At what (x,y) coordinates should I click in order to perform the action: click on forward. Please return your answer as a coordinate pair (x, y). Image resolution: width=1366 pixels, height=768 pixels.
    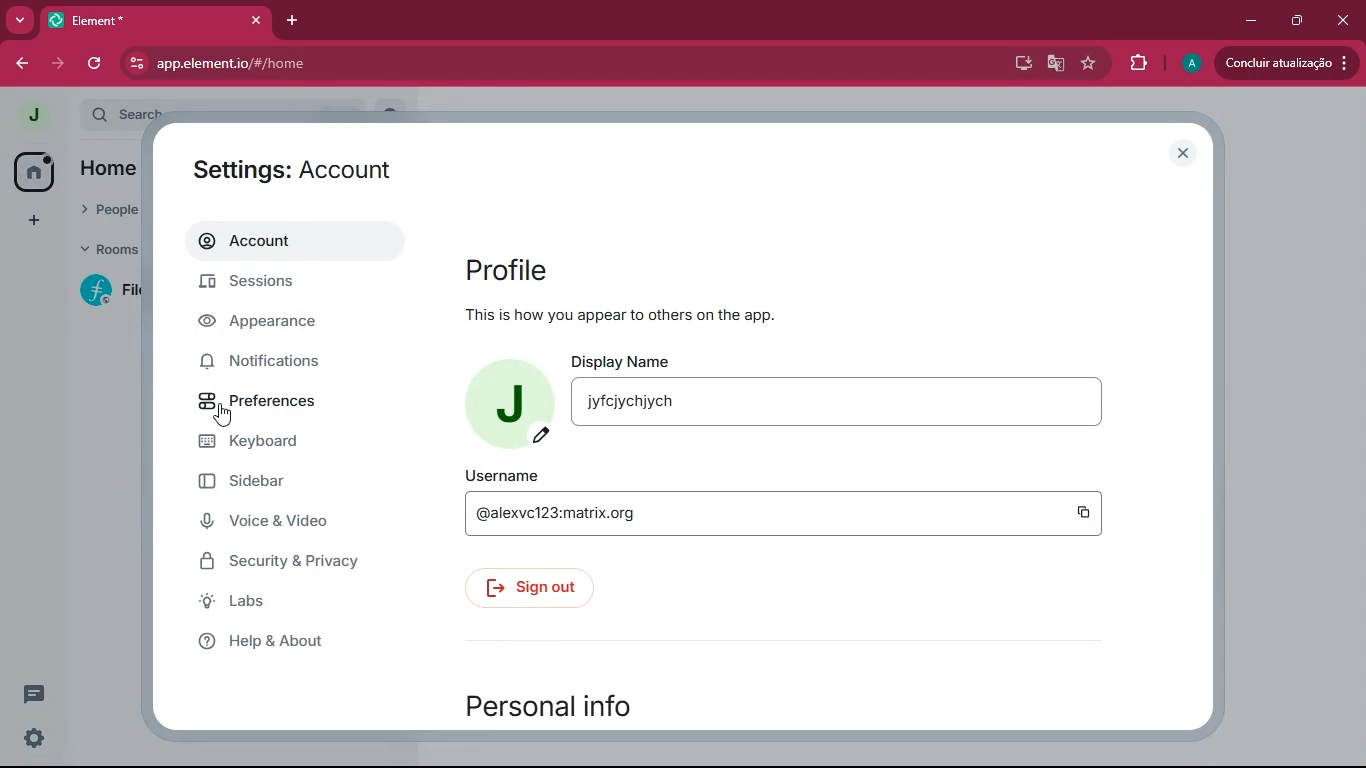
    Looking at the image, I should click on (56, 63).